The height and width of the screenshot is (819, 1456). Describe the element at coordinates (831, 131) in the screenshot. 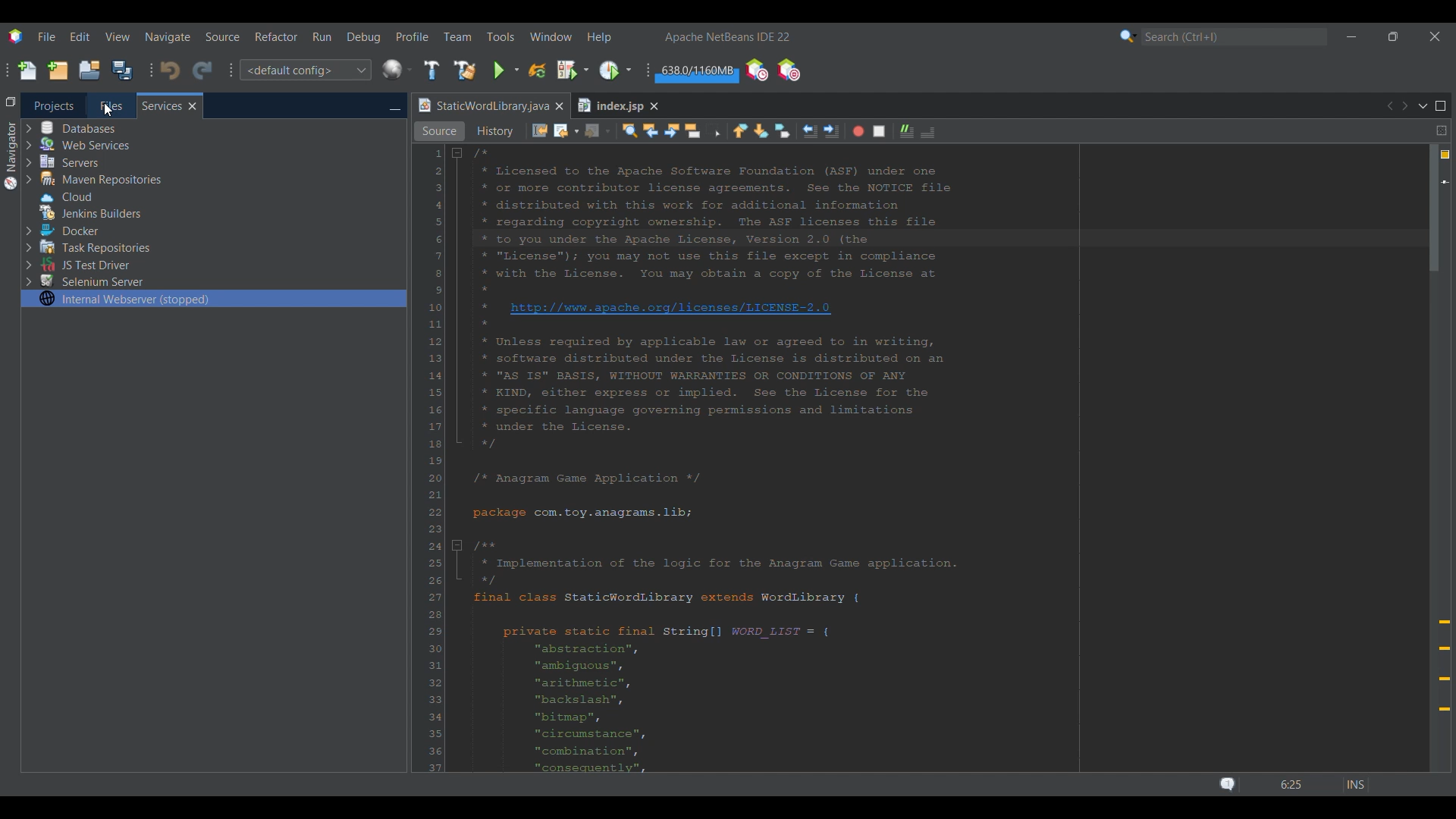

I see `Shift line right` at that location.